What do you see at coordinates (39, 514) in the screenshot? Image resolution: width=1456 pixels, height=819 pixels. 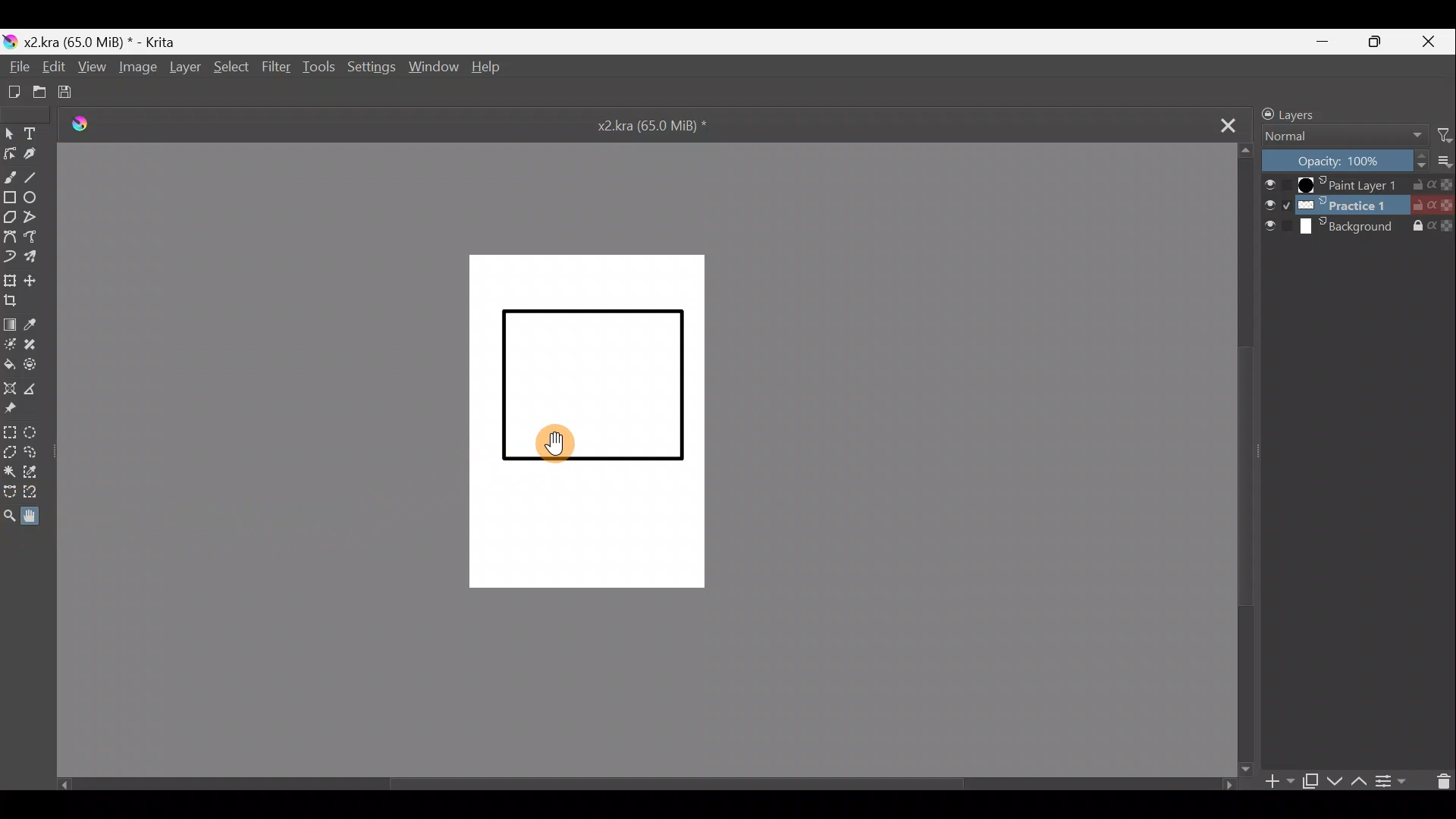 I see `Pan tool` at bounding box center [39, 514].